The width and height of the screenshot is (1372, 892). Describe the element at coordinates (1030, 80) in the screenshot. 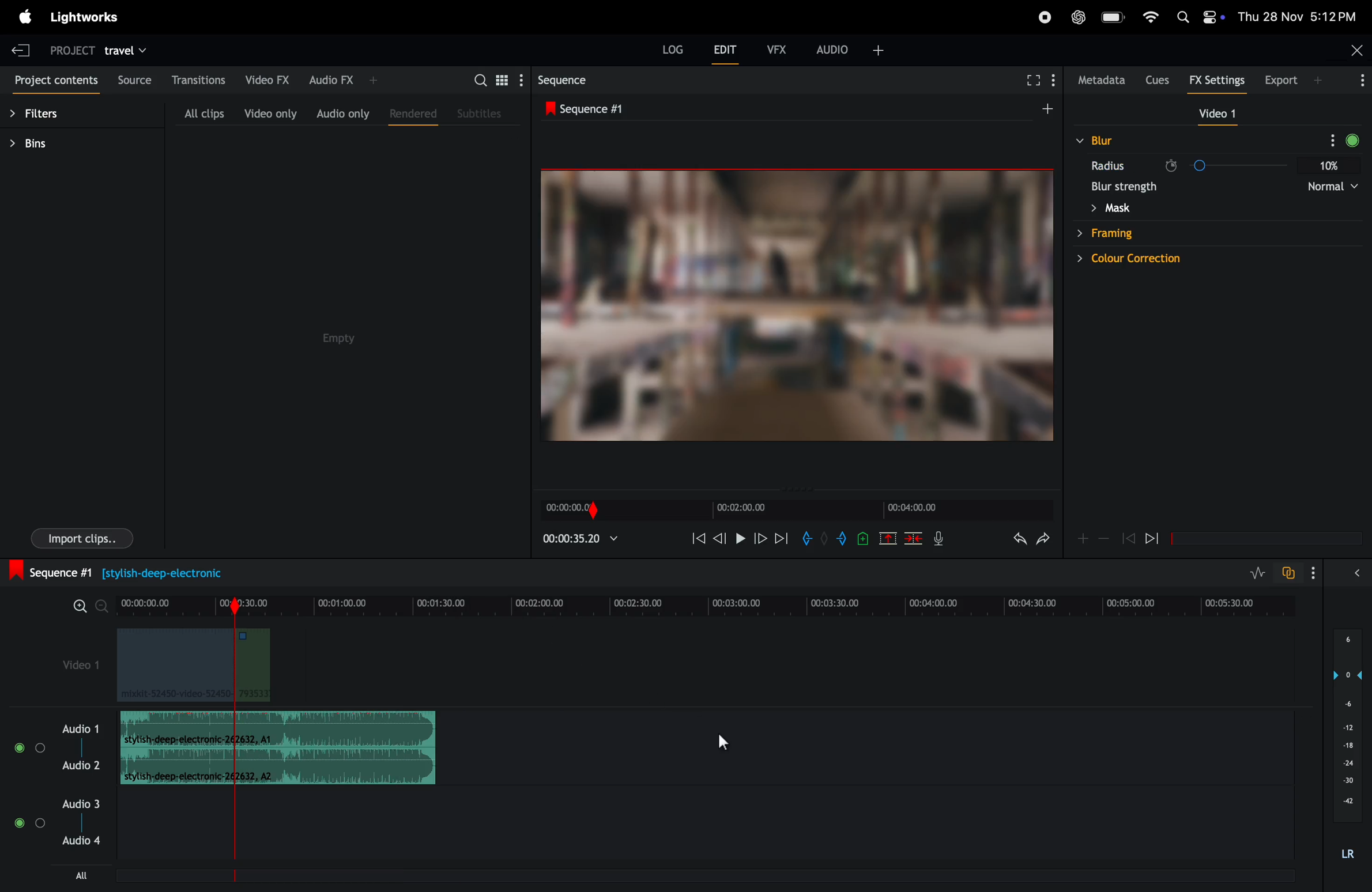

I see `full screen` at that location.